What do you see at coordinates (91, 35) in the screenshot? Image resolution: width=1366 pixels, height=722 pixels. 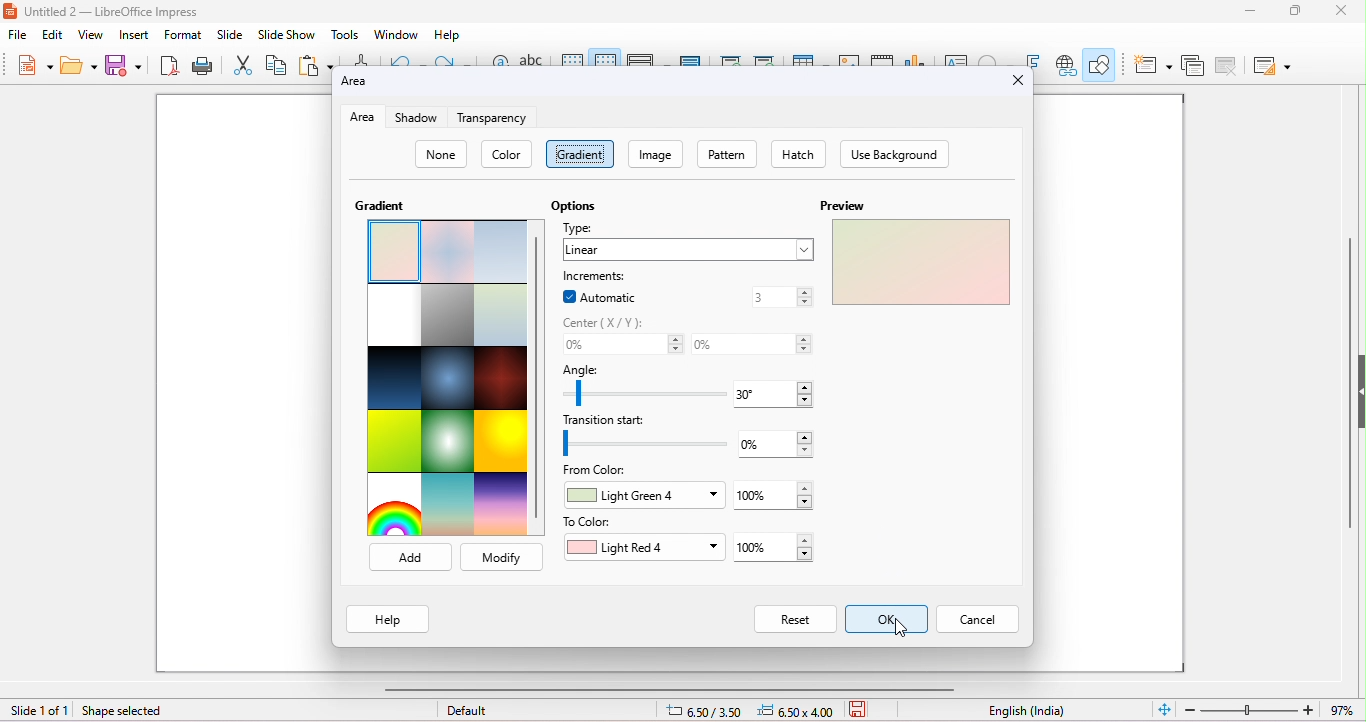 I see `view` at bounding box center [91, 35].